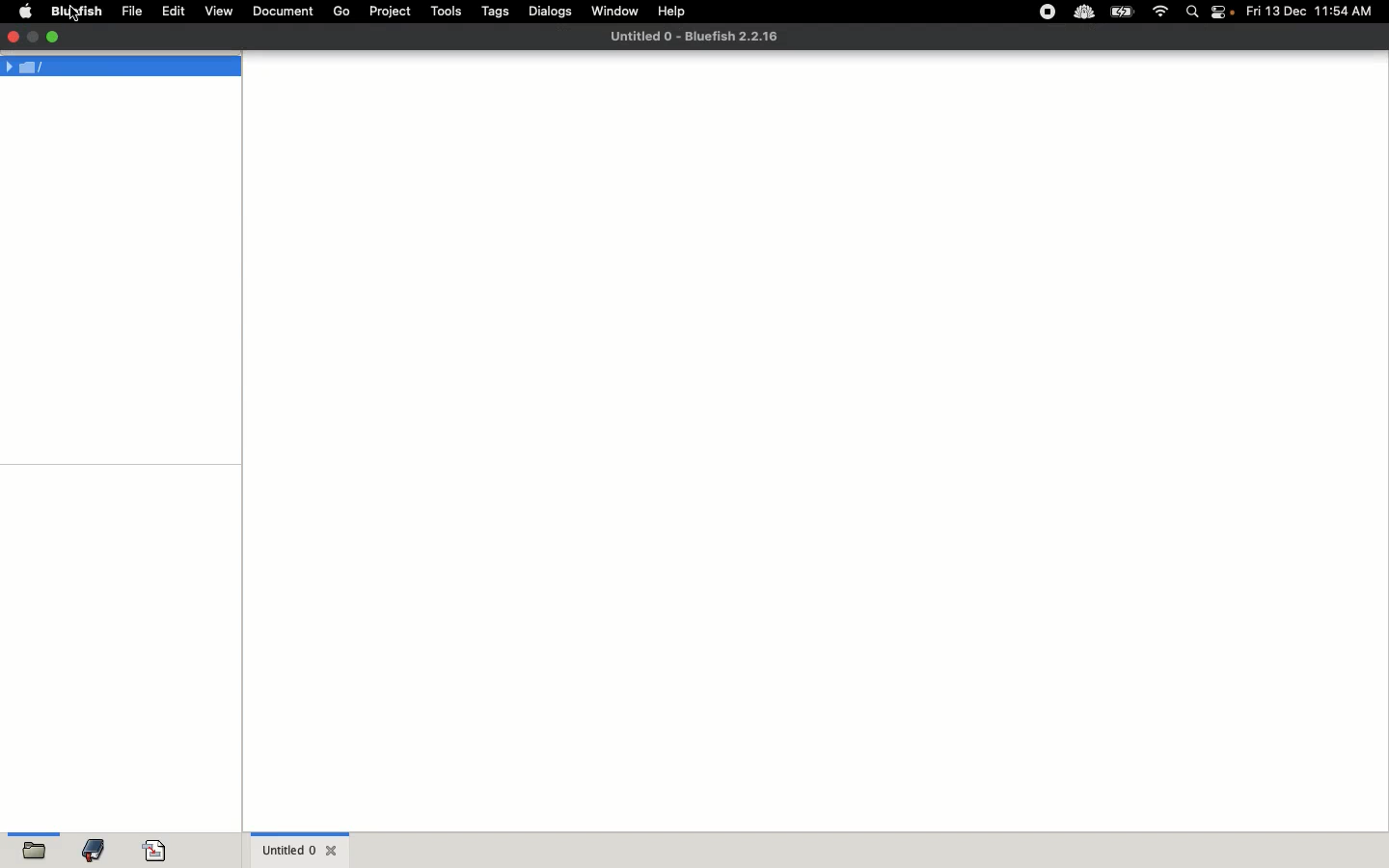  What do you see at coordinates (1064, 12) in the screenshot?
I see `Extensions` at bounding box center [1064, 12].